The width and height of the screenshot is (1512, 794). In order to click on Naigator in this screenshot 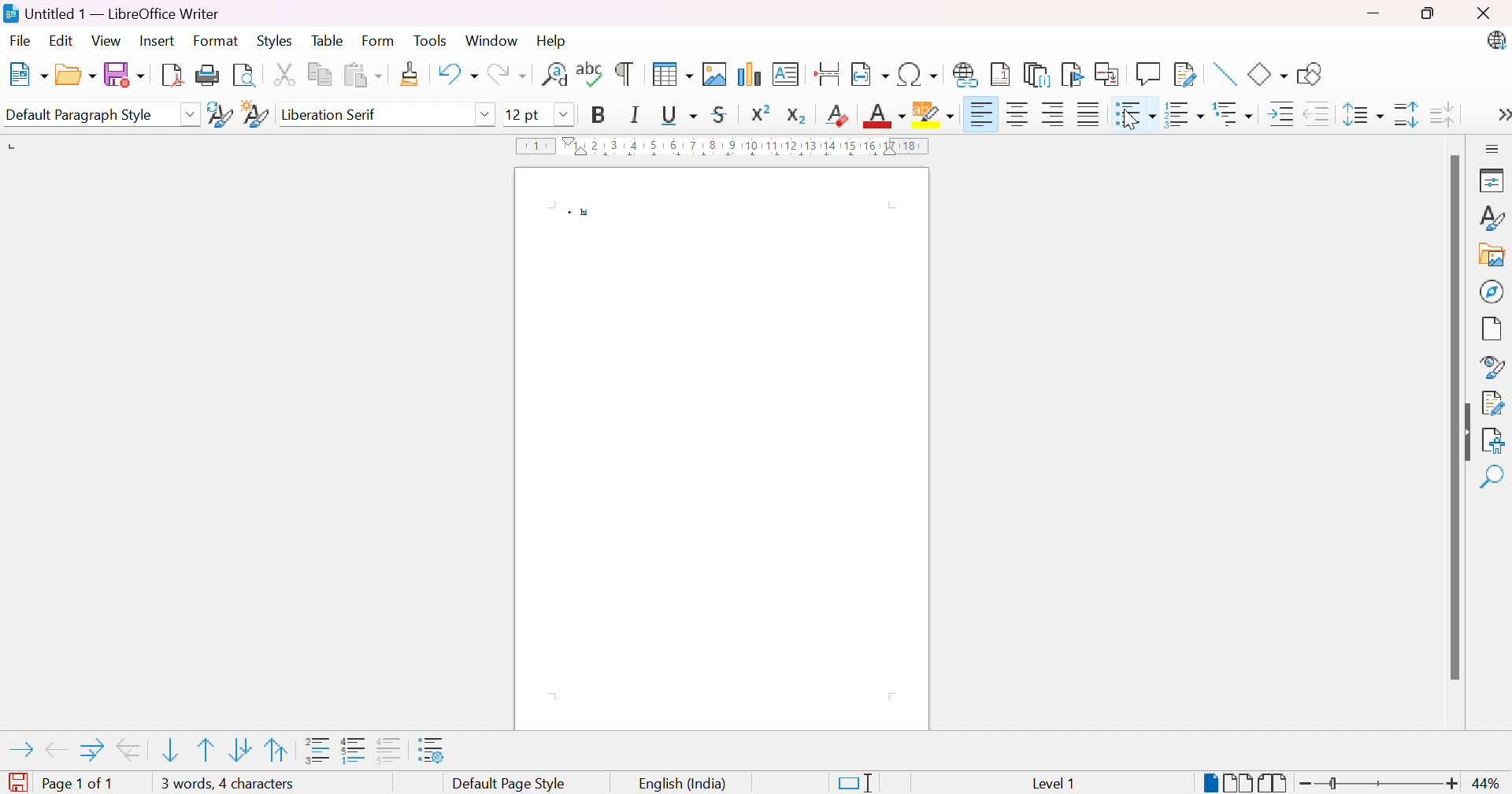, I will do `click(1493, 291)`.